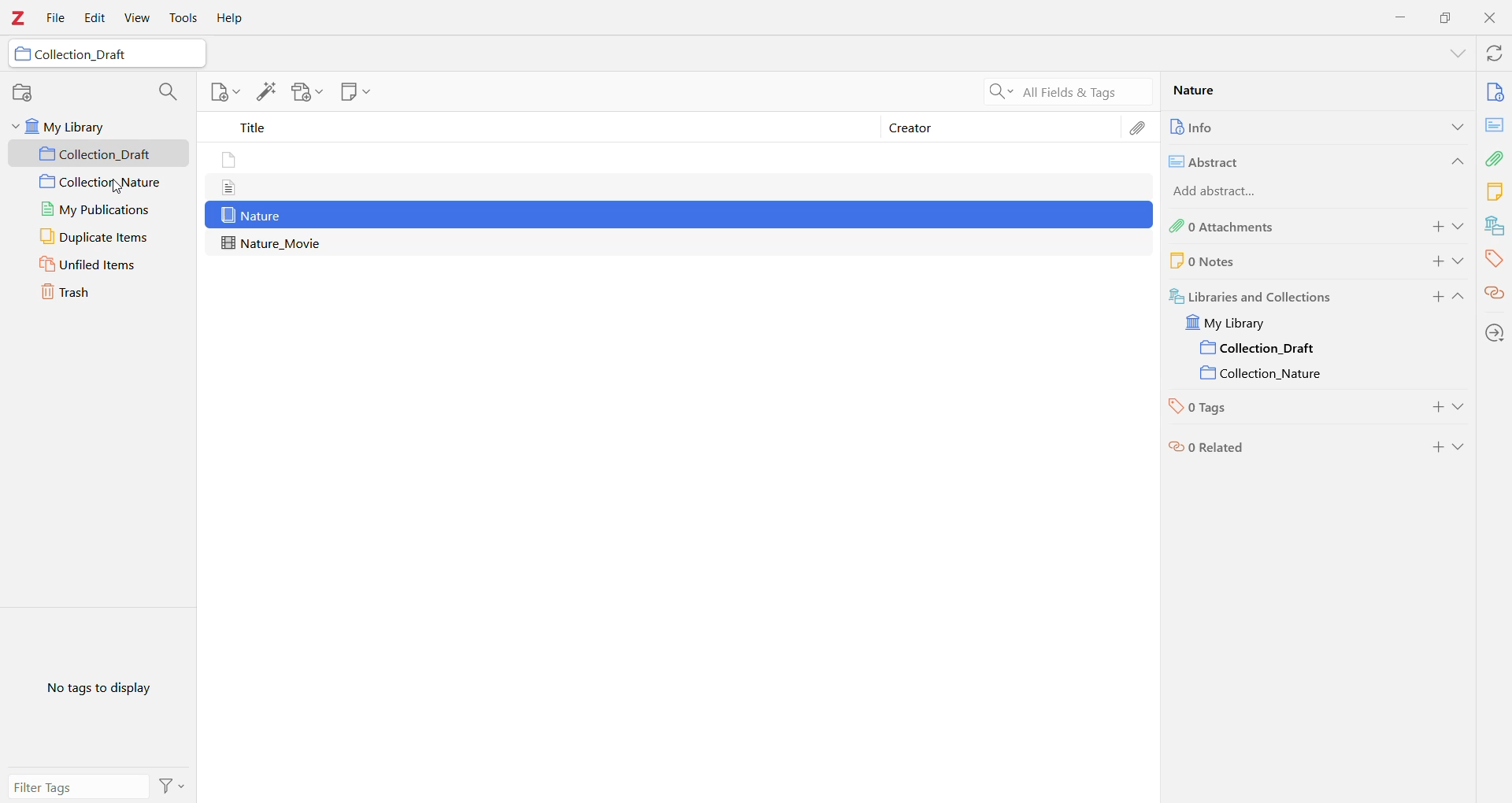 Image resolution: width=1512 pixels, height=803 pixels. I want to click on Creator, so click(1001, 128).